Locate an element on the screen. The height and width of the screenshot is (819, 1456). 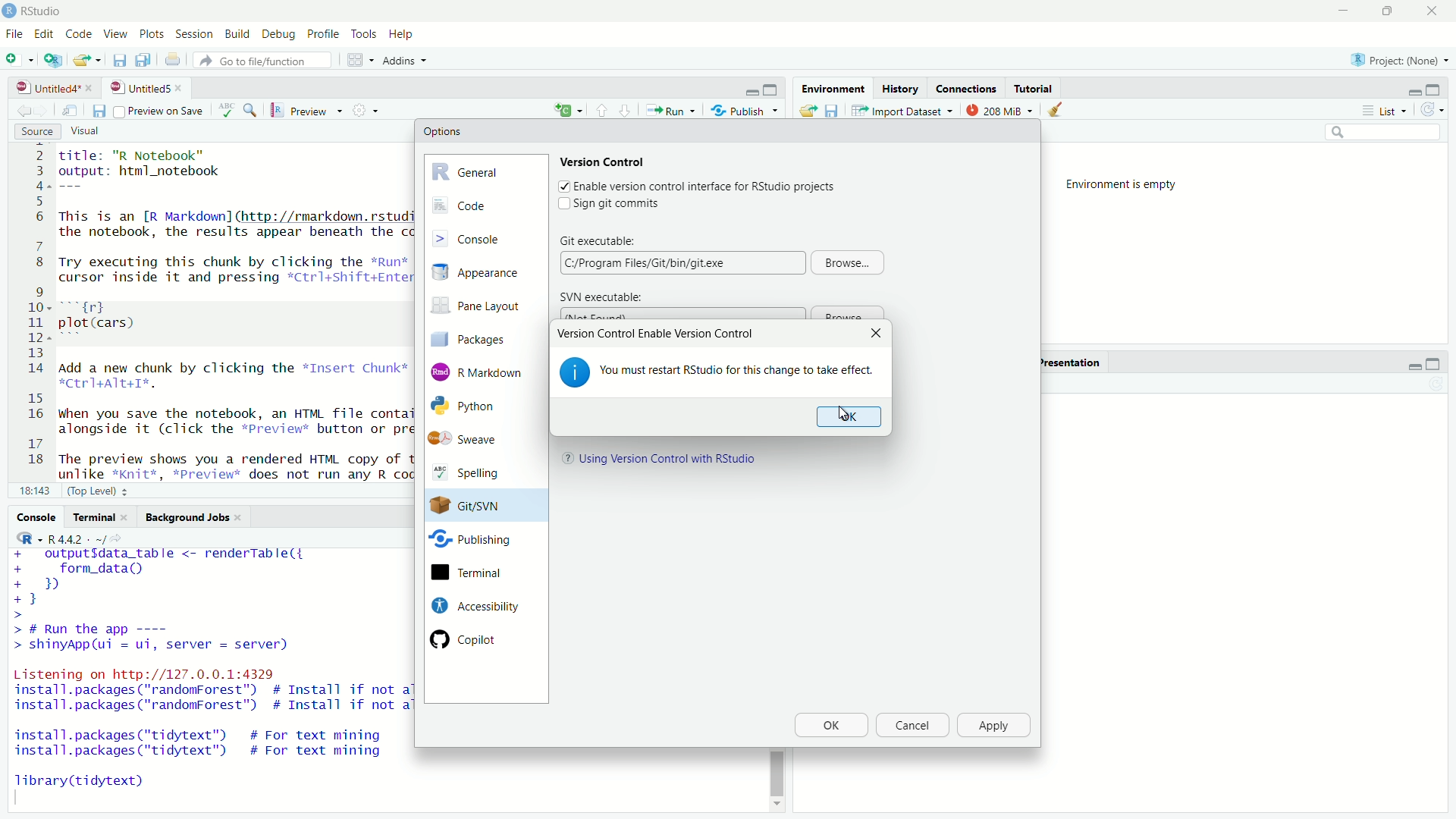
Title: 'R Notebook

output: html_notebook

This is an [R Markdown] (http: //rmarkdown.rstudio.com) Notebook. When you execute code within
the notebook, the results appear beneath the code.

Try executing this chunk by clicking the *Run* button within the chunk or by placing your
cursor inside it and pressing *Ctrl+Shift+Enter.
rd zh
plot(cars)

Add a new chunk by clicking the *Insert Chunk* button on the toolbar or by pressing
HCErT+ATE+I%.

when you save the notebook, an HTML file containing the code and output will be saved
alongside it (click the *Previews button or press *Ctrl+shift+k* to preview the HTML file).
The preview shows you a rendered HTML copy of the contents of the editor. Consequently,
unlike *knit*. *pPreview* does not run anv R code chunks. Instead. the output of the chunk is located at coordinates (231, 312).